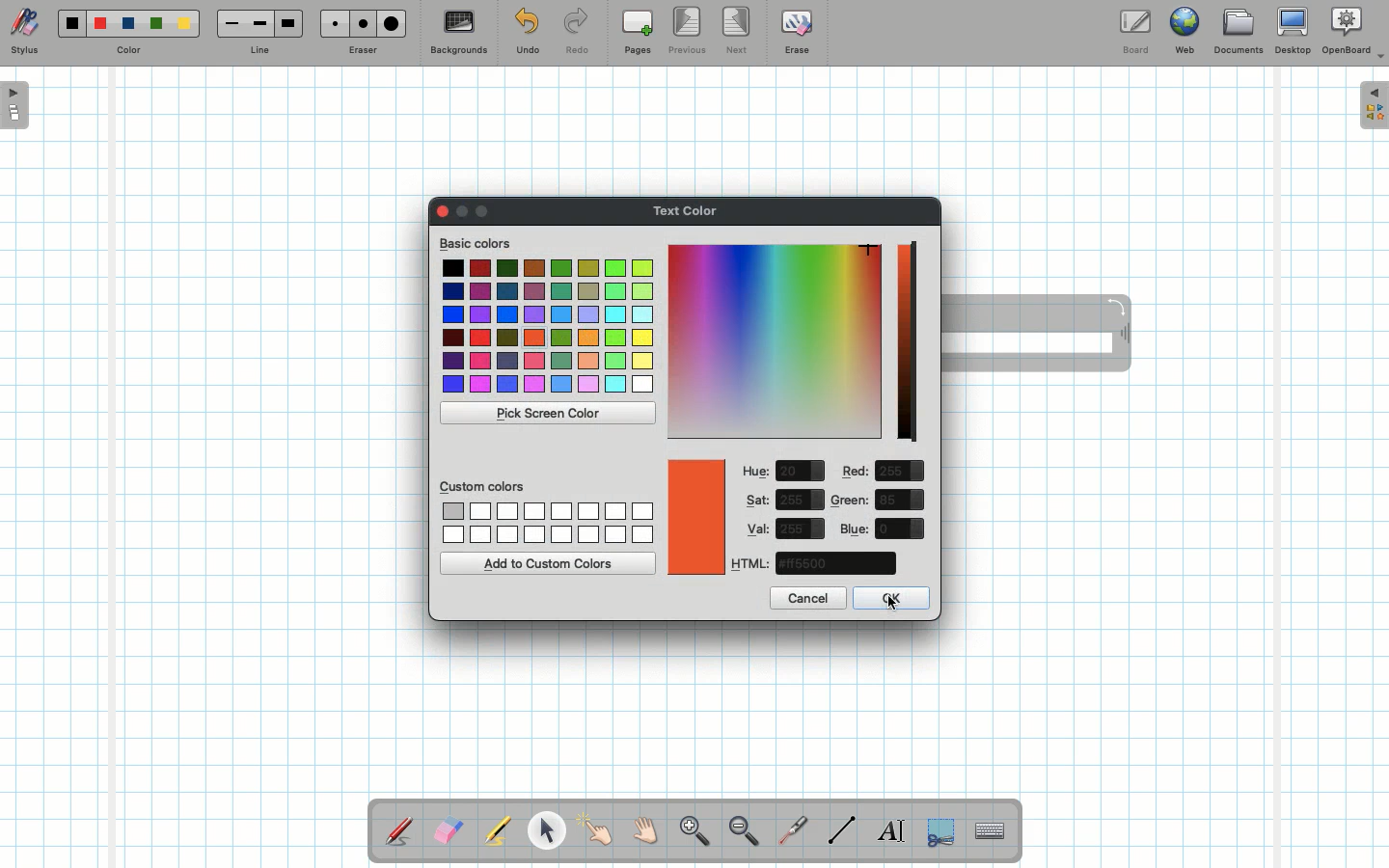 Image resolution: width=1389 pixels, height=868 pixels. Describe the element at coordinates (757, 472) in the screenshot. I see `Hue` at that location.